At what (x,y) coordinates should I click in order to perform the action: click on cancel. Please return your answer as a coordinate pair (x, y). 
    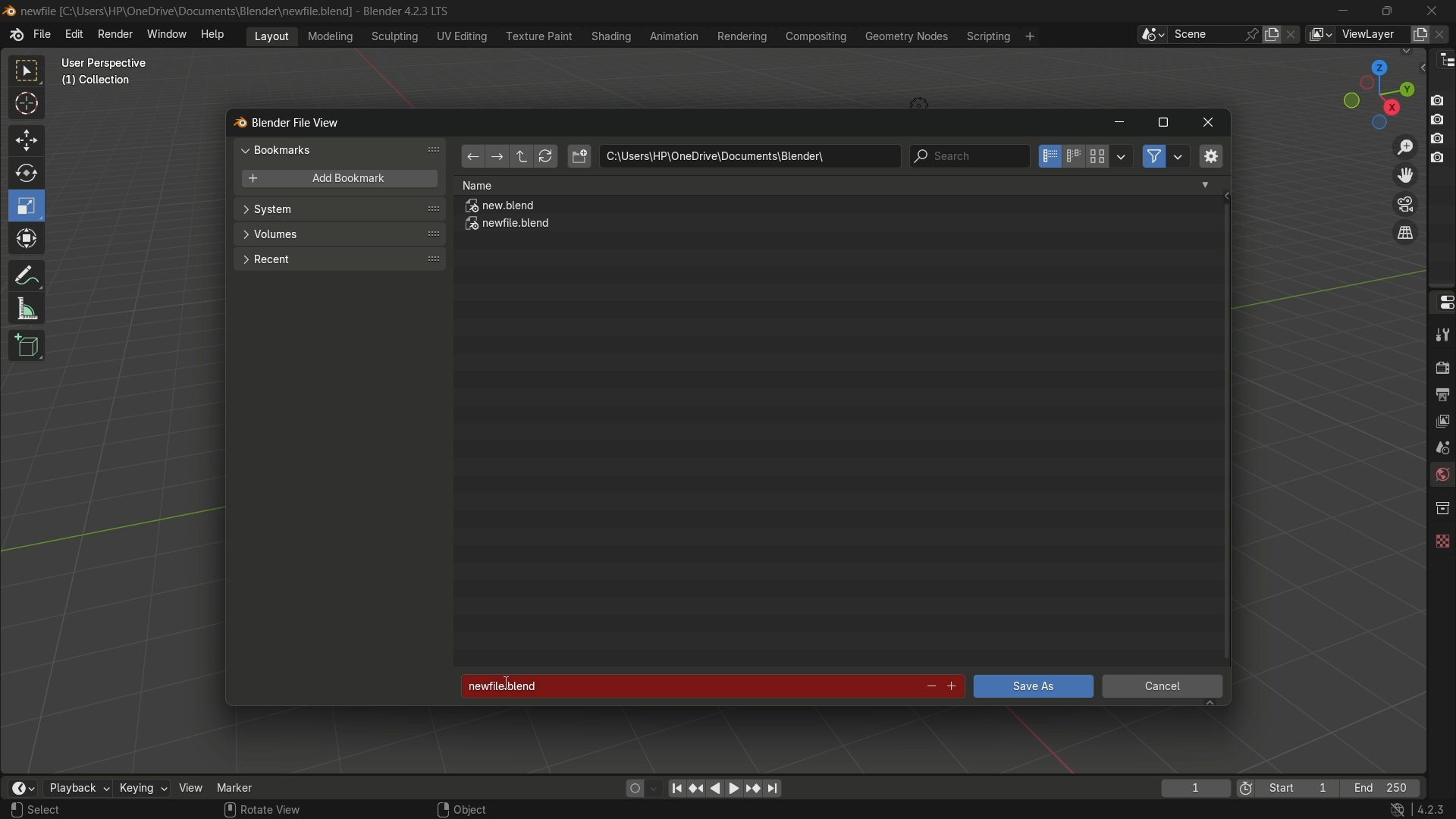
    Looking at the image, I should click on (1163, 689).